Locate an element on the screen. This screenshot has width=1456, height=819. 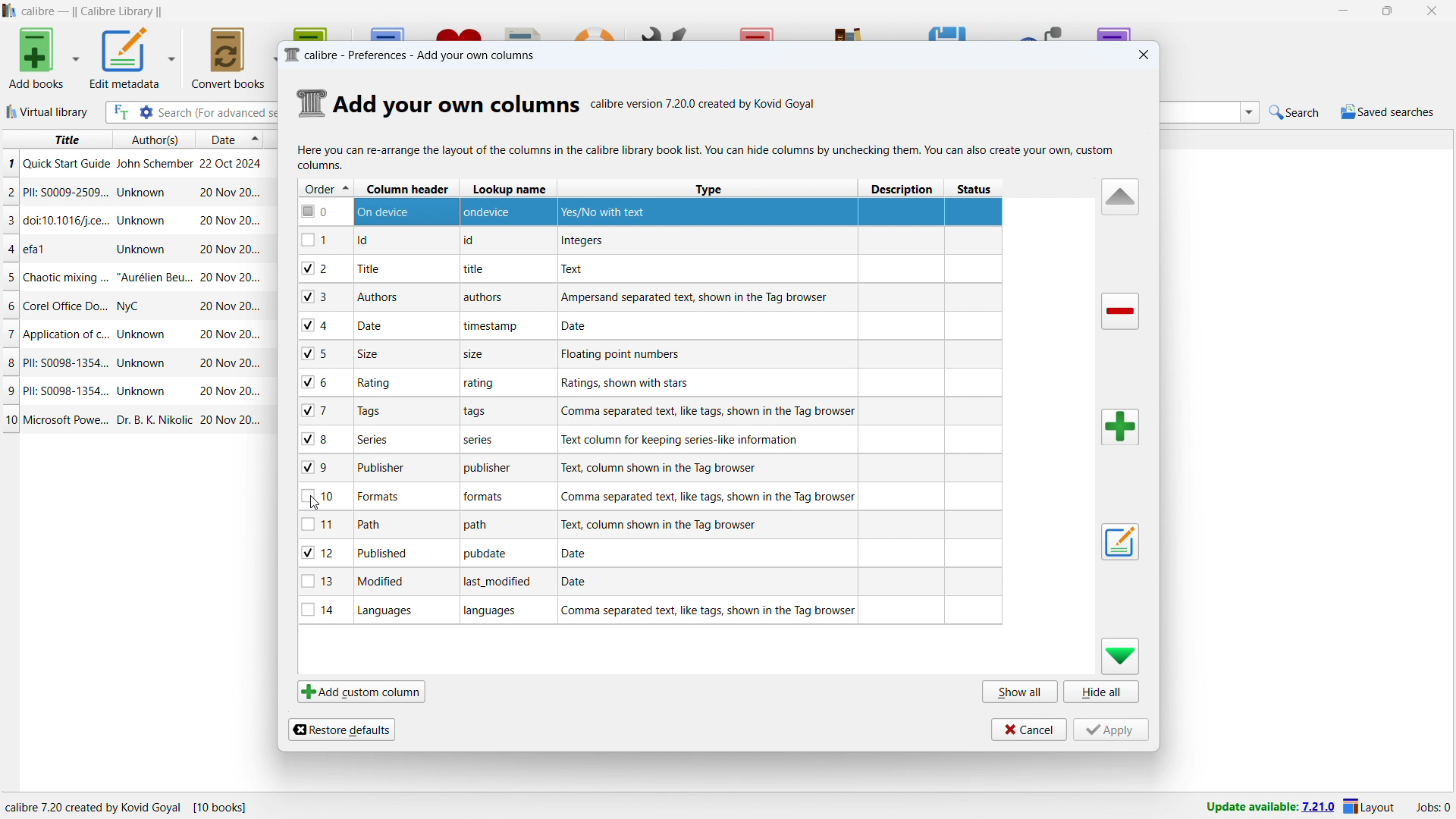
add books is located at coordinates (37, 58).